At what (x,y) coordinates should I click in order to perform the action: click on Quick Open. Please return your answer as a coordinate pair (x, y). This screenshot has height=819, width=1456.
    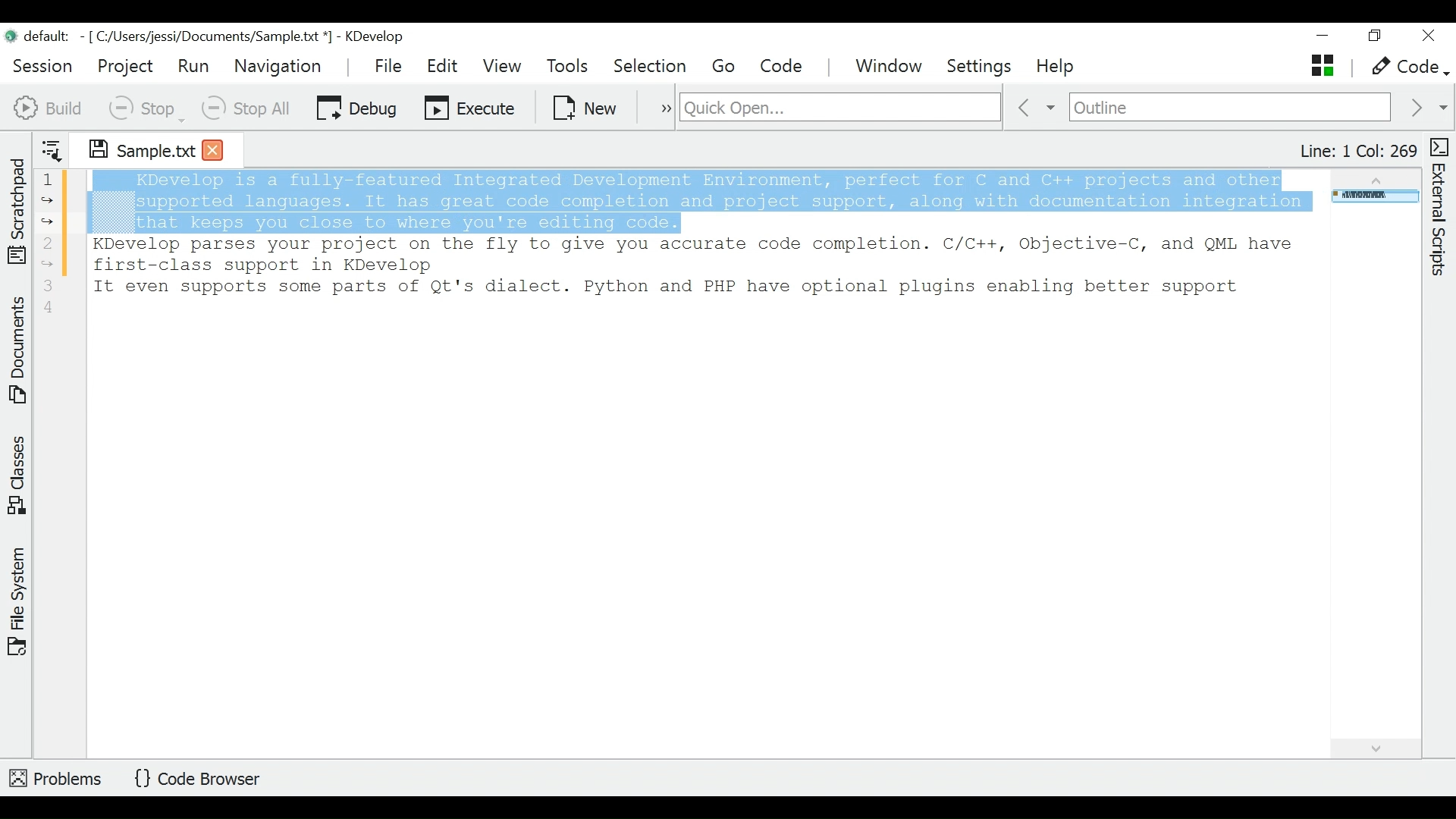
    Looking at the image, I should click on (838, 108).